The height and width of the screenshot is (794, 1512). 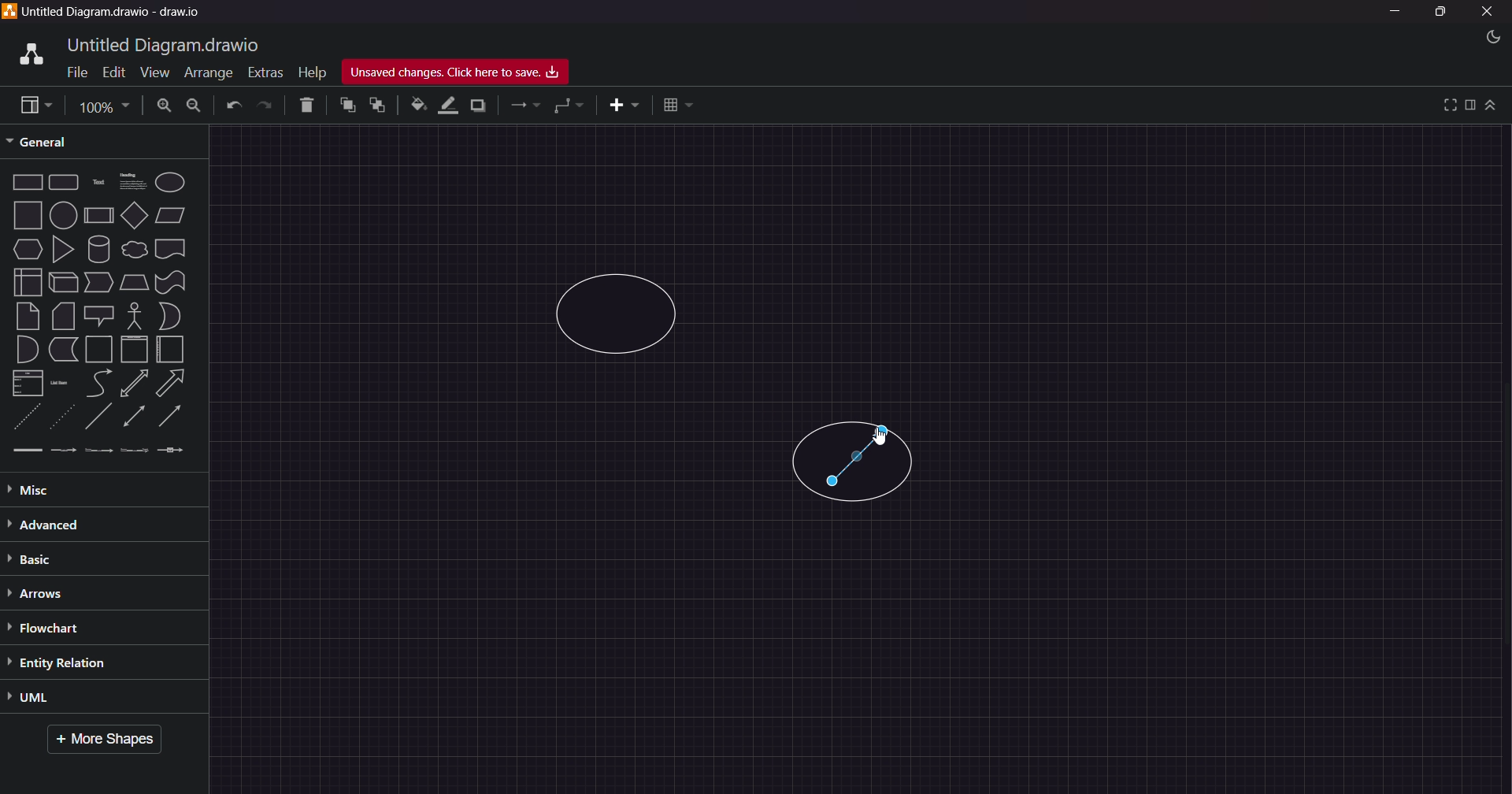 What do you see at coordinates (417, 105) in the screenshot?
I see `fill color` at bounding box center [417, 105].